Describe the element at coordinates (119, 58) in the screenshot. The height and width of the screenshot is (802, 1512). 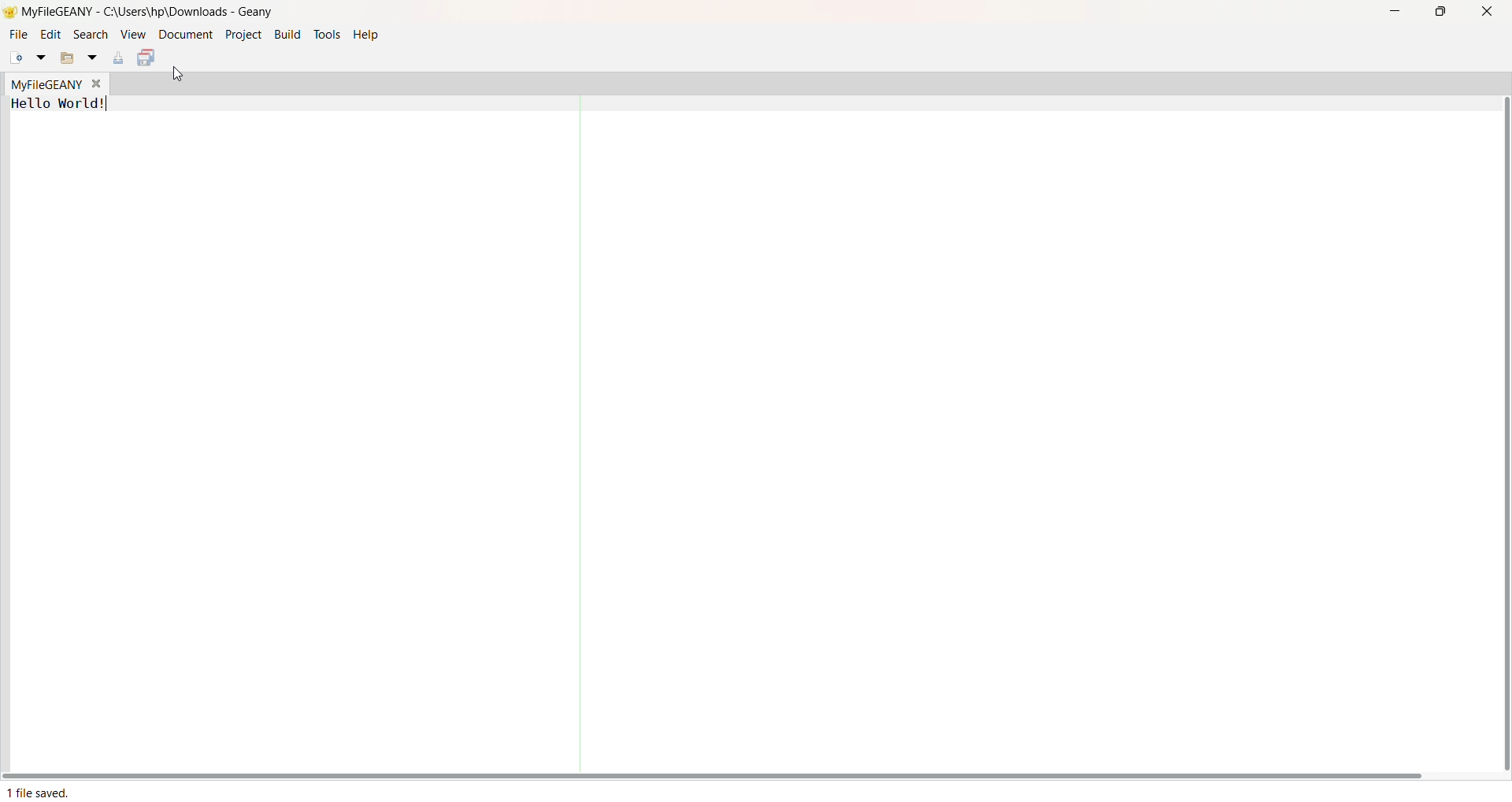
I see `Save Current File` at that location.